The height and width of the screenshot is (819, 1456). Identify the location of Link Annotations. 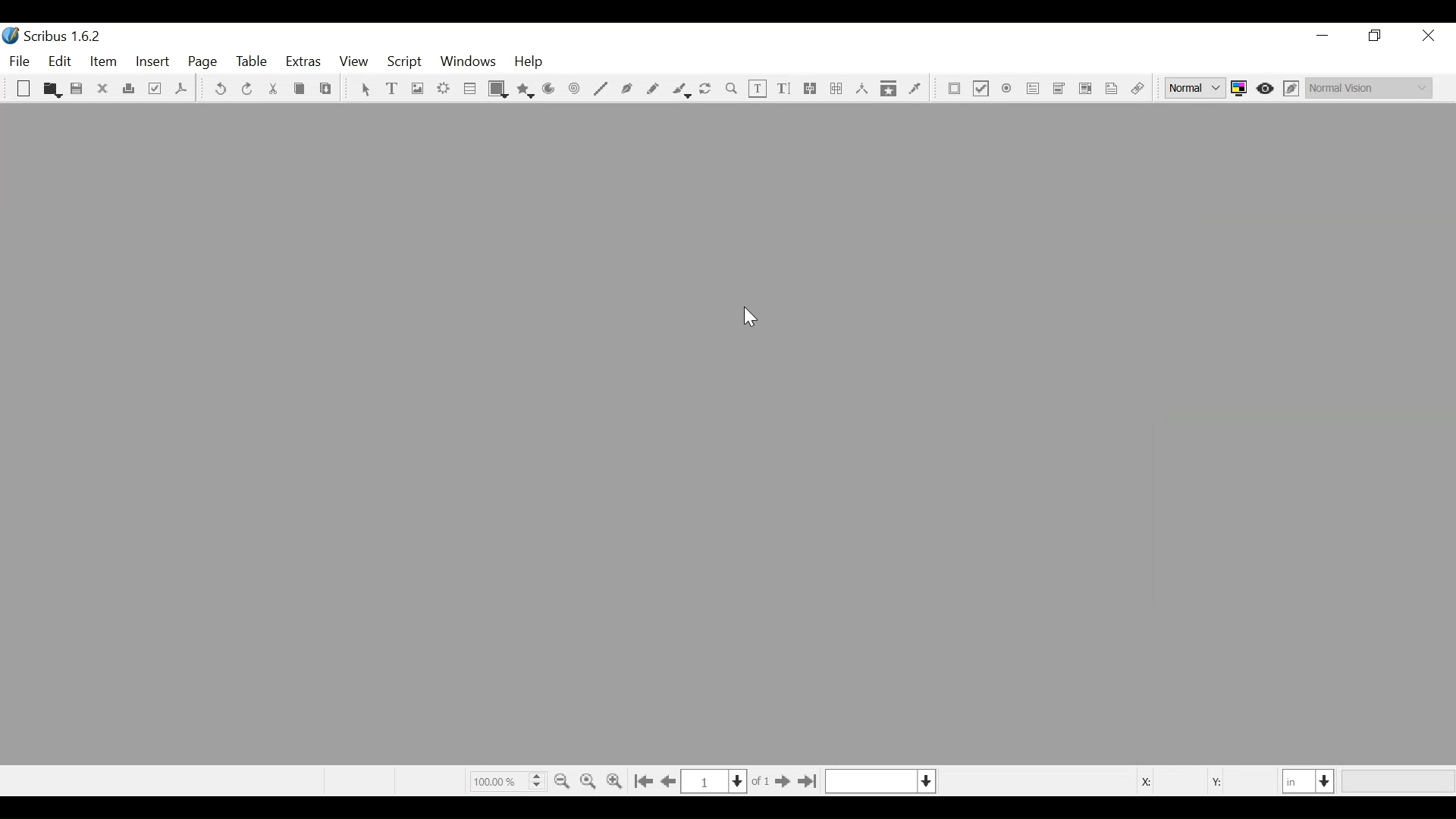
(1135, 89).